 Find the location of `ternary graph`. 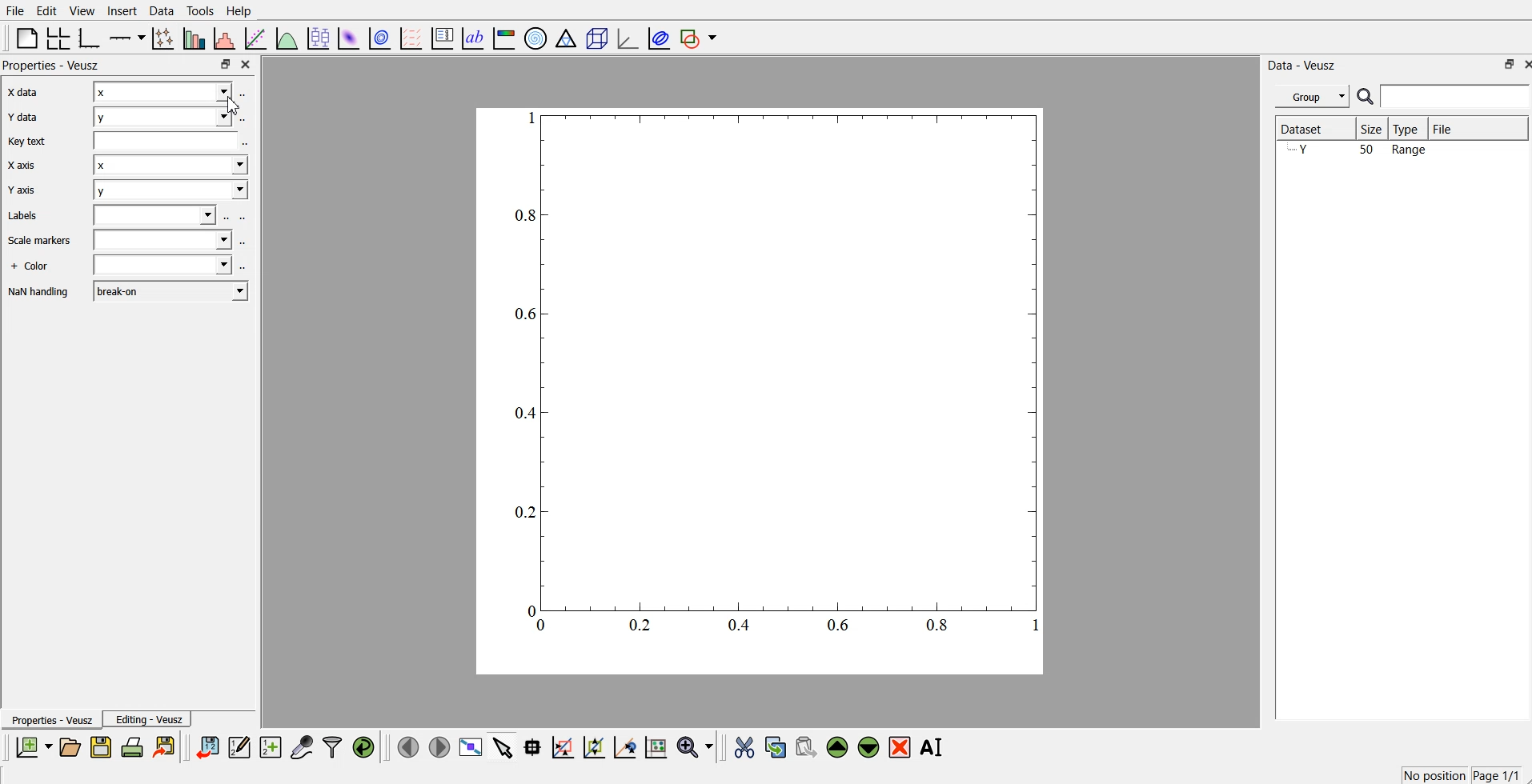

ternary graph is located at coordinates (566, 37).